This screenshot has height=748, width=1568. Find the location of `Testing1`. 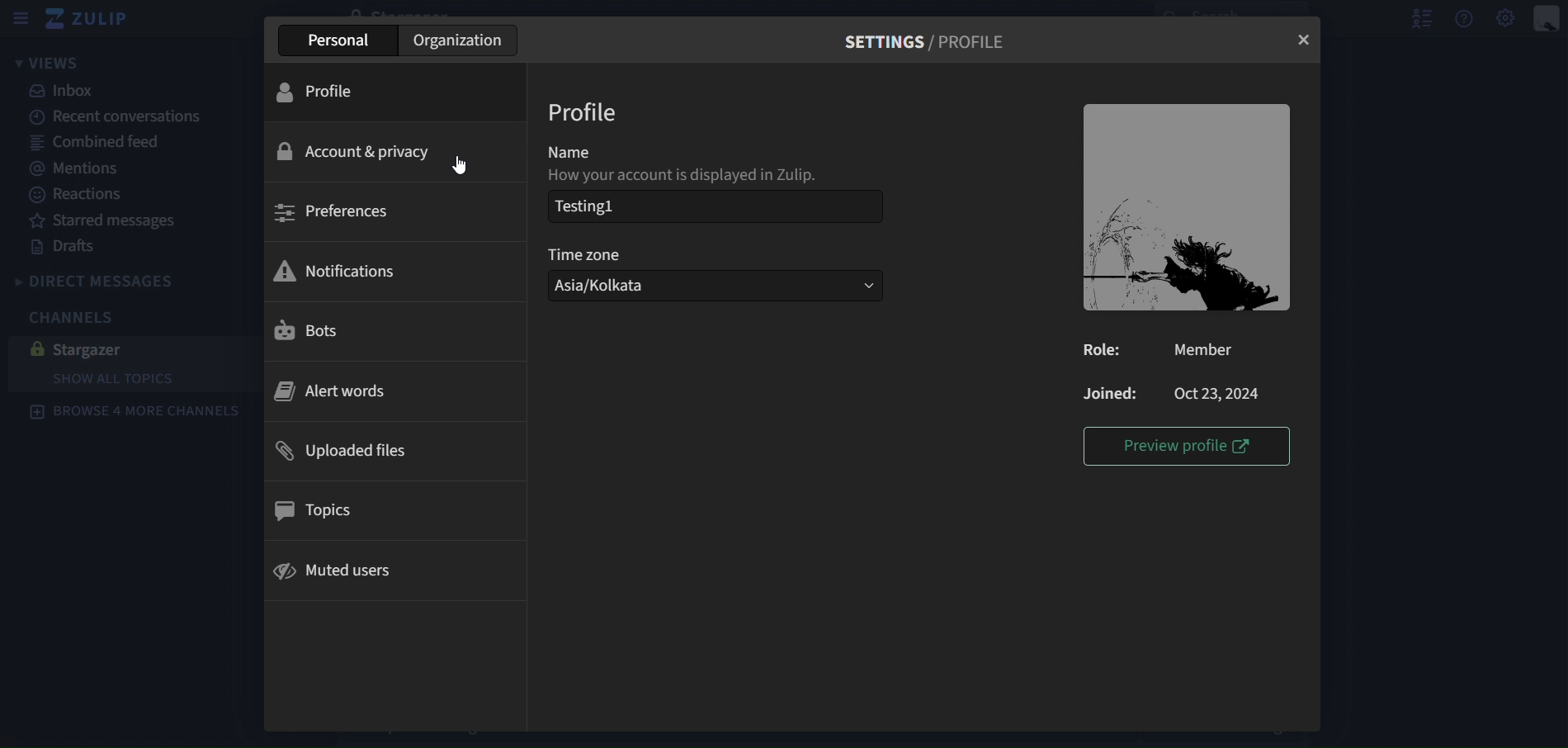

Testing1 is located at coordinates (593, 208).